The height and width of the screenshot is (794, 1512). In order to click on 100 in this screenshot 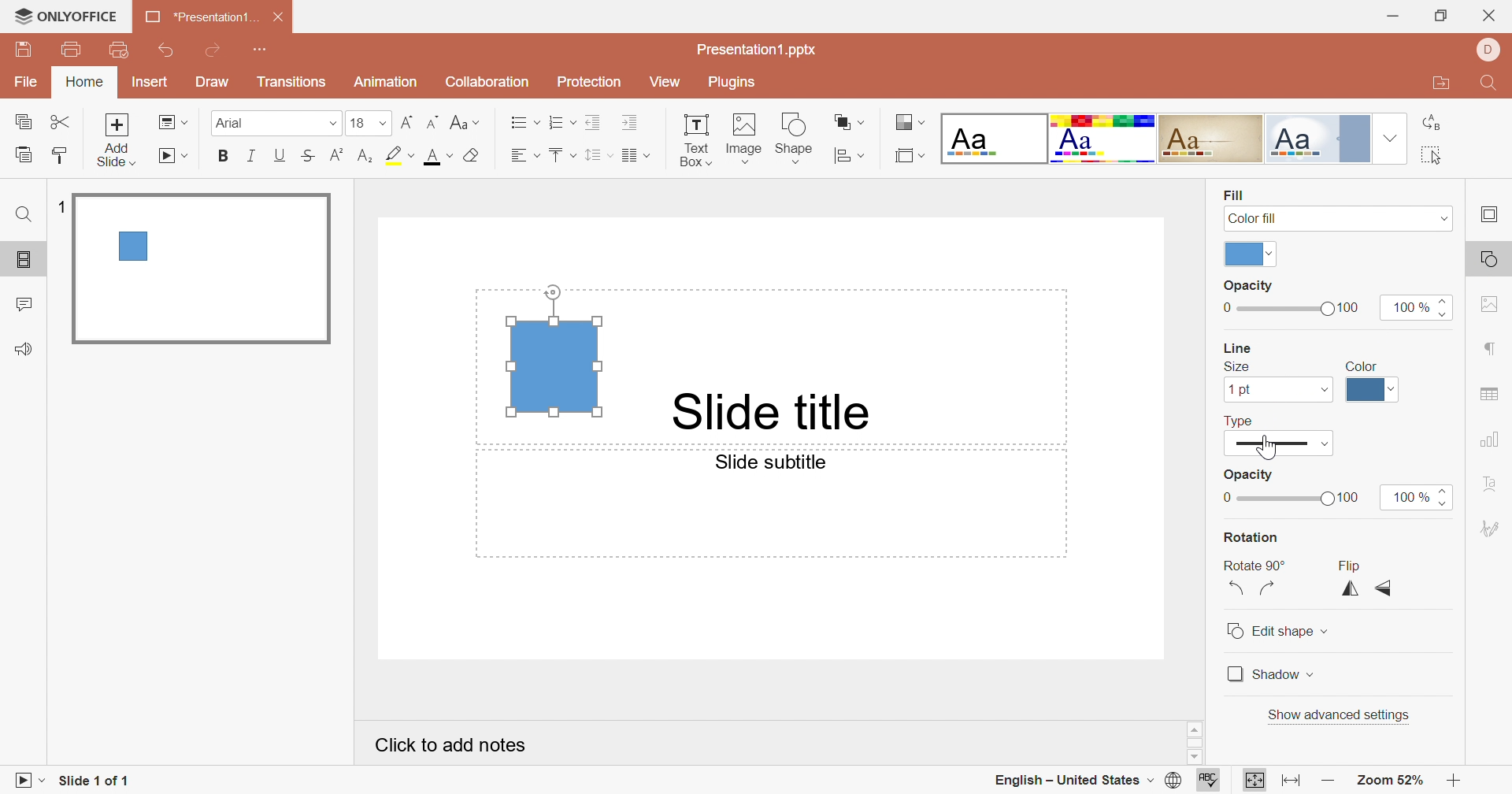, I will do `click(1354, 497)`.